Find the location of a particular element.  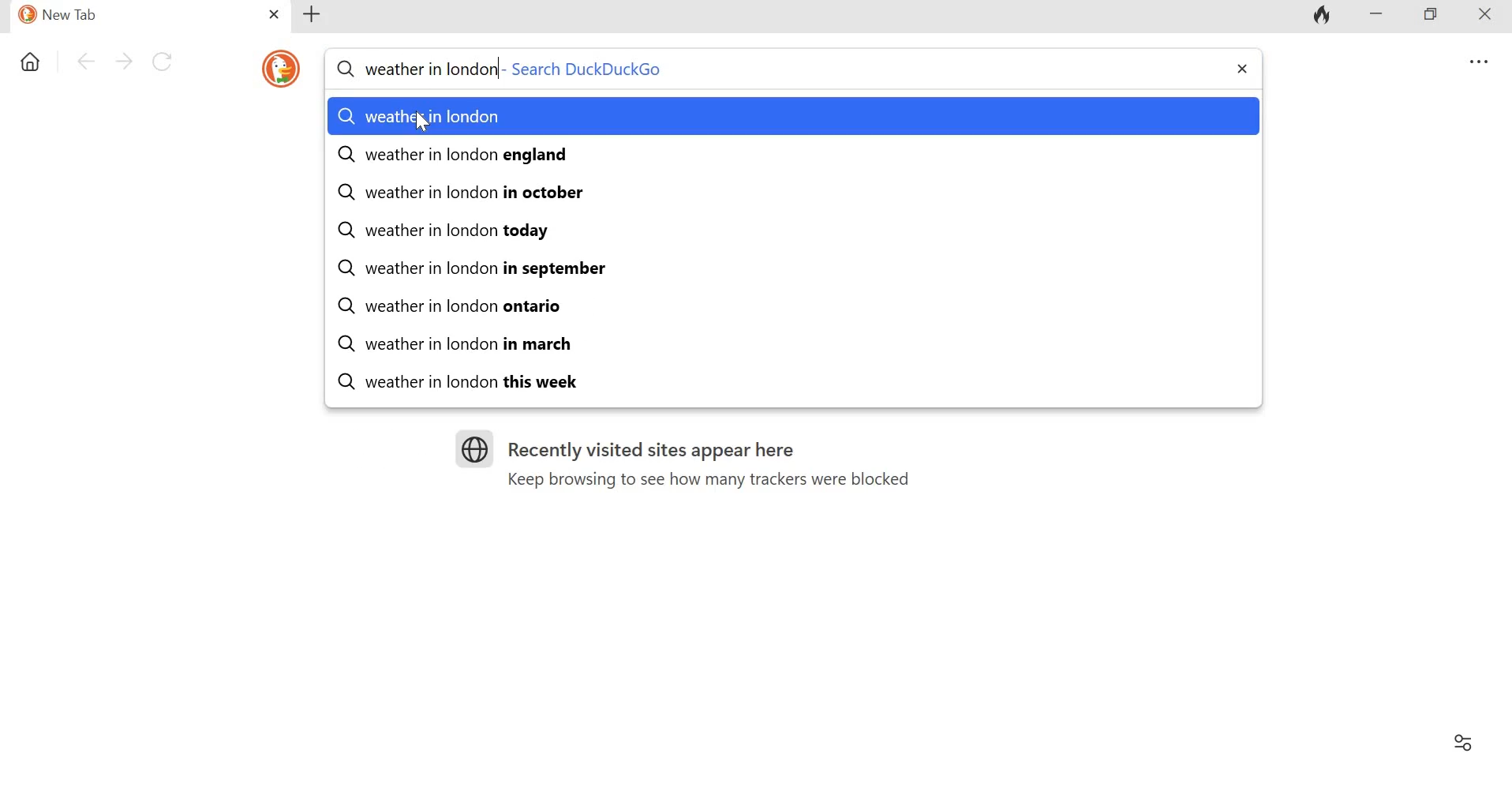

weather in london ontario is located at coordinates (795, 306).